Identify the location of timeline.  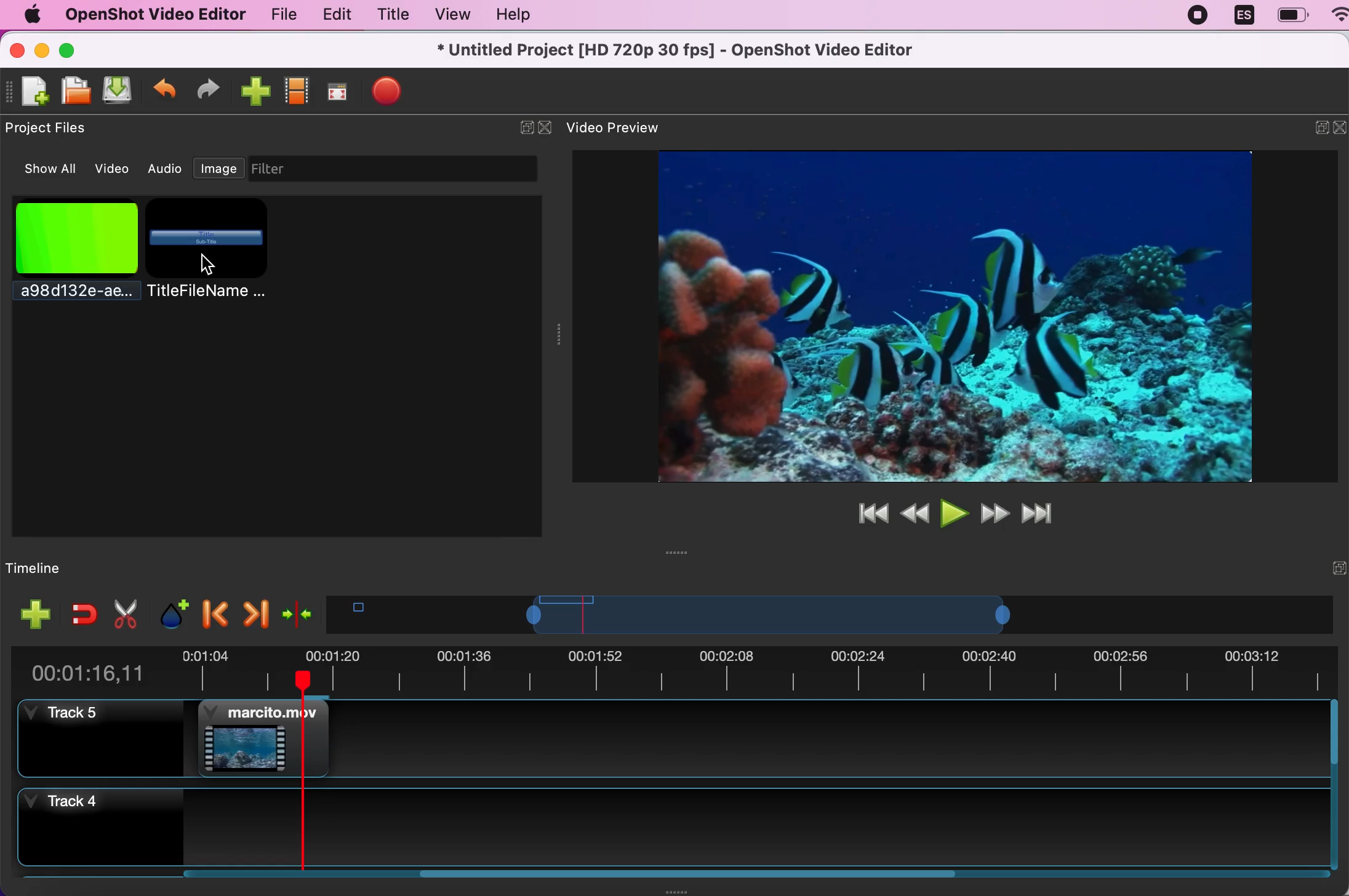
(66, 567).